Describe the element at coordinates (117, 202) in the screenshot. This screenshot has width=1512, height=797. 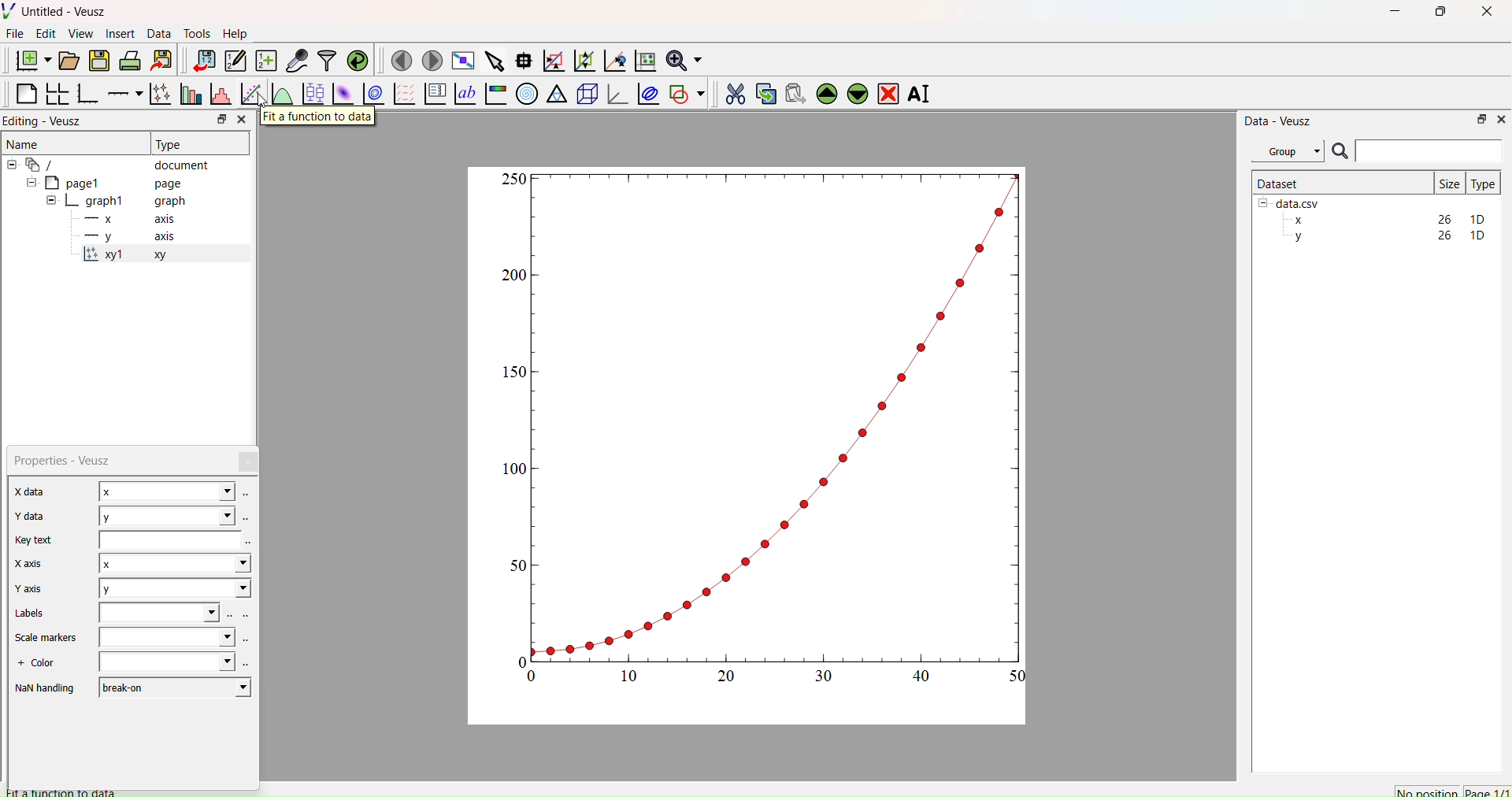
I see `graph1 graph` at that location.